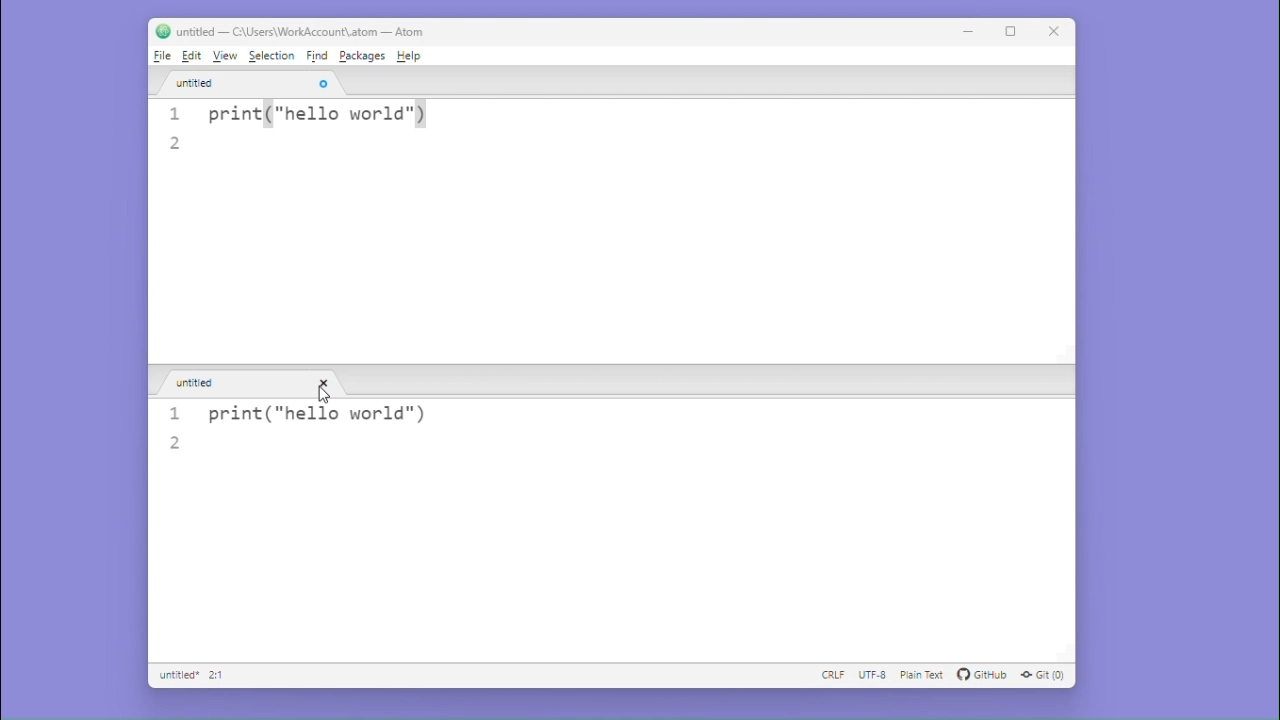 The image size is (1280, 720). I want to click on untitled, so click(243, 382).